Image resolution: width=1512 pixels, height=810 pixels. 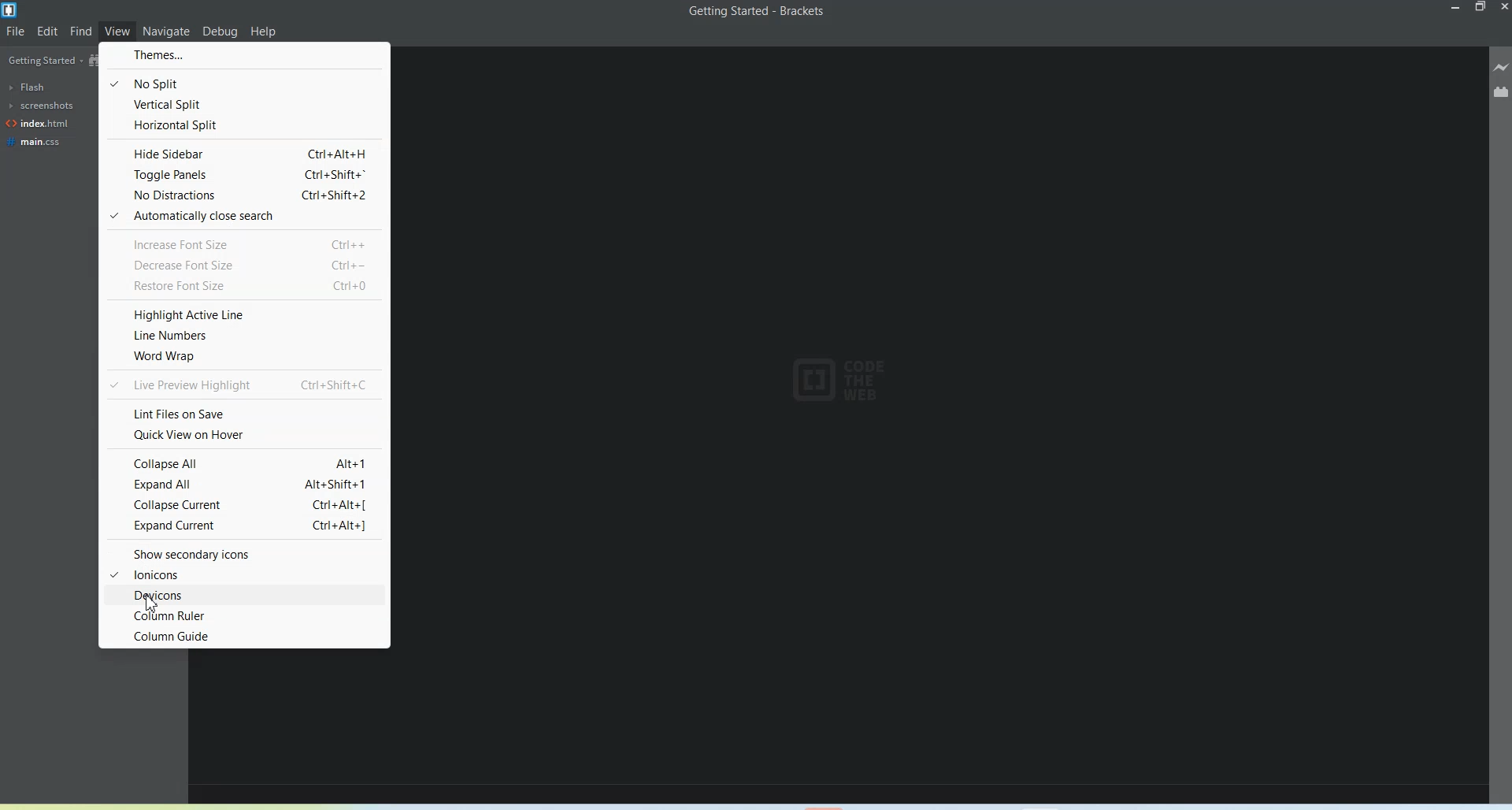 What do you see at coordinates (758, 12) in the screenshot?
I see `Getting Started - Brackets` at bounding box center [758, 12].